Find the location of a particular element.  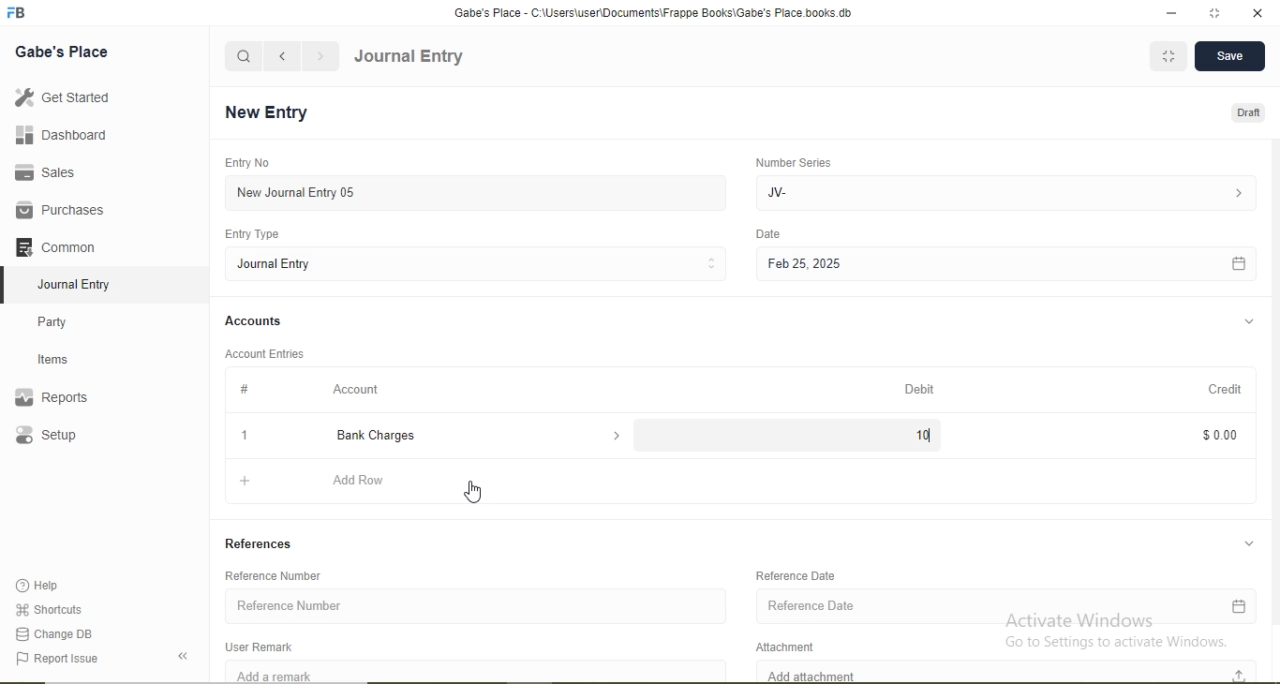

Party is located at coordinates (66, 320).